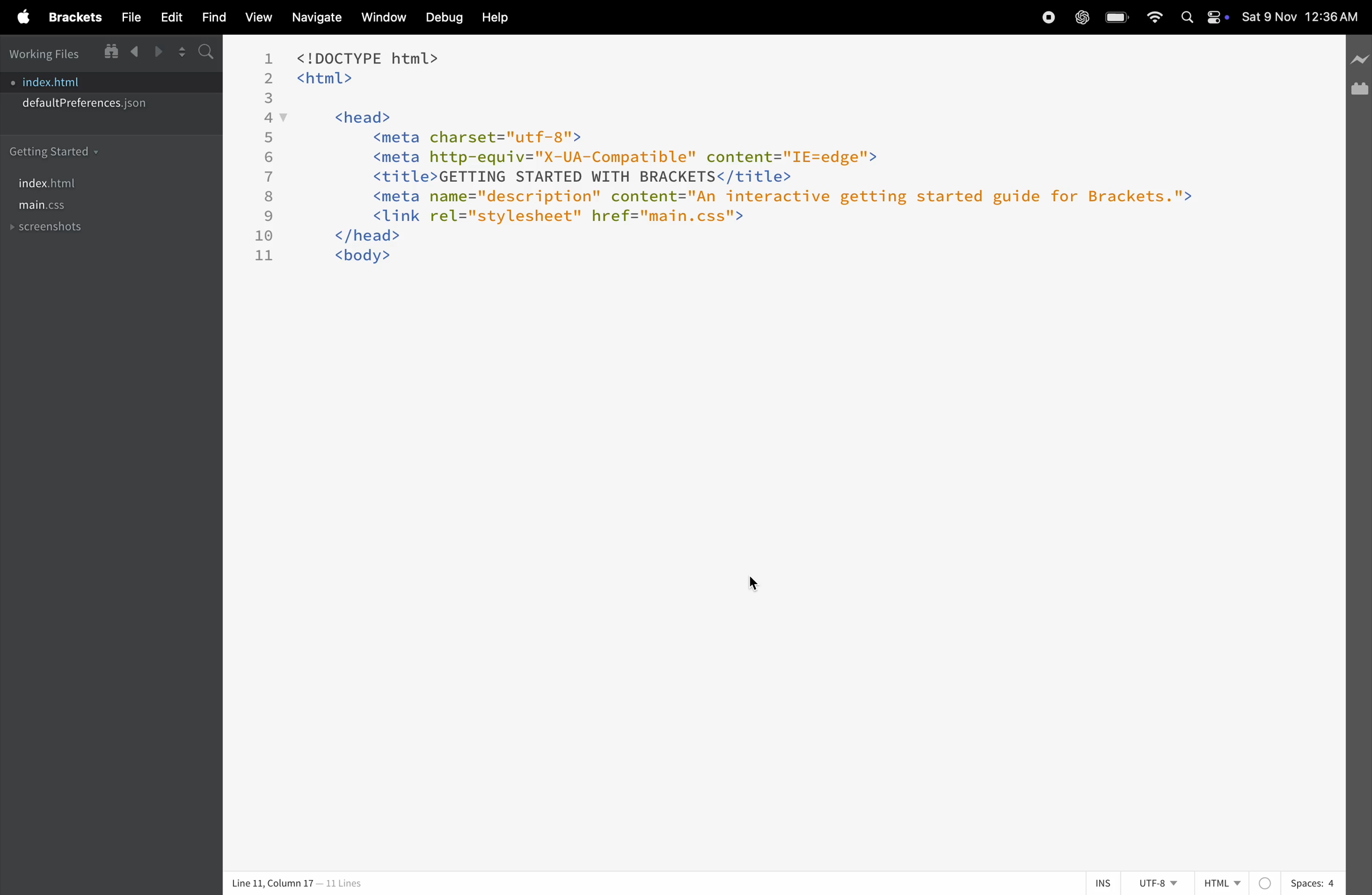 The image size is (1372, 895). What do you see at coordinates (91, 103) in the screenshot?
I see `default preferences` at bounding box center [91, 103].